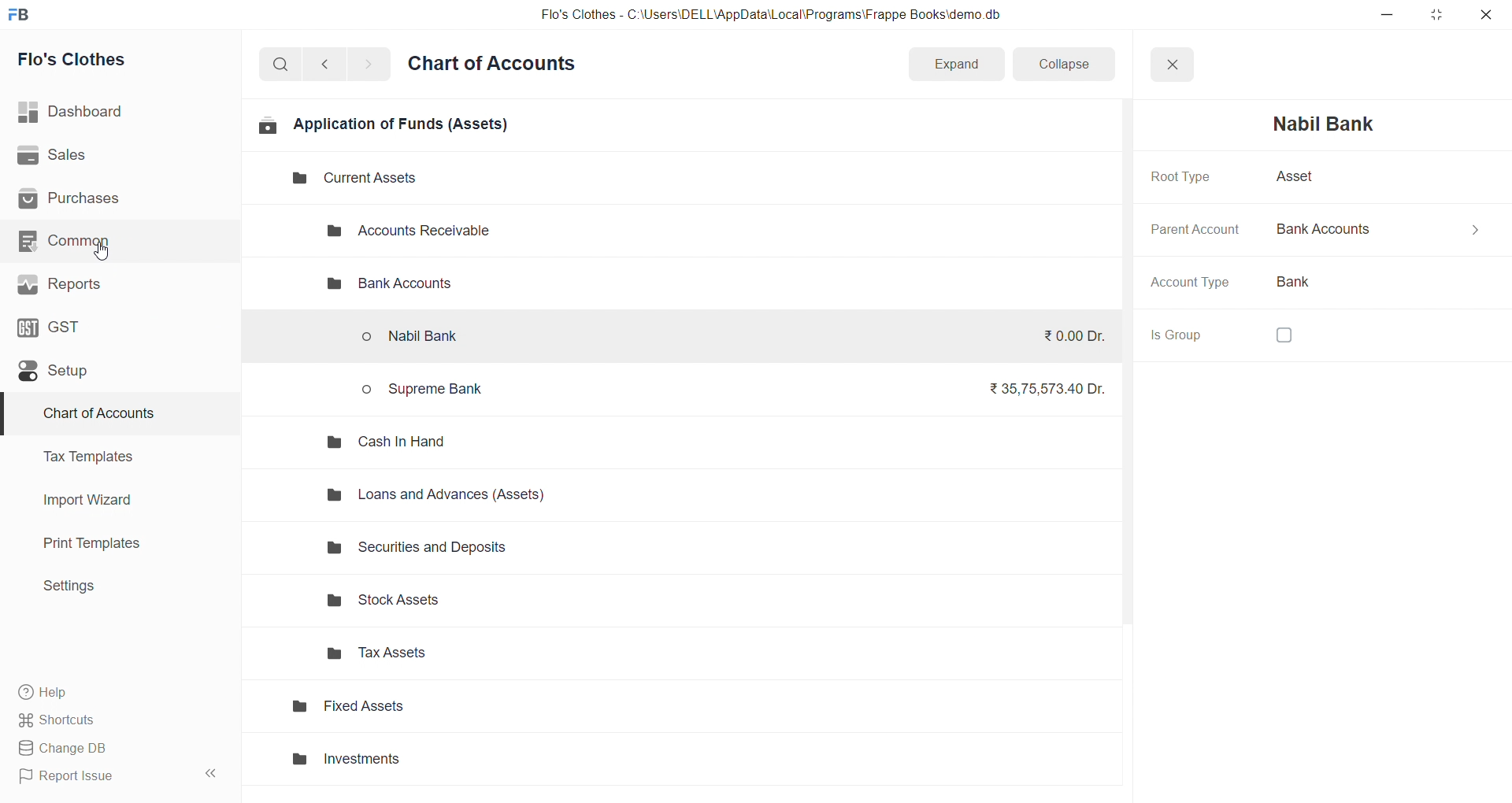 The image size is (1512, 803). Describe the element at coordinates (111, 457) in the screenshot. I see `Tax Templates` at that location.